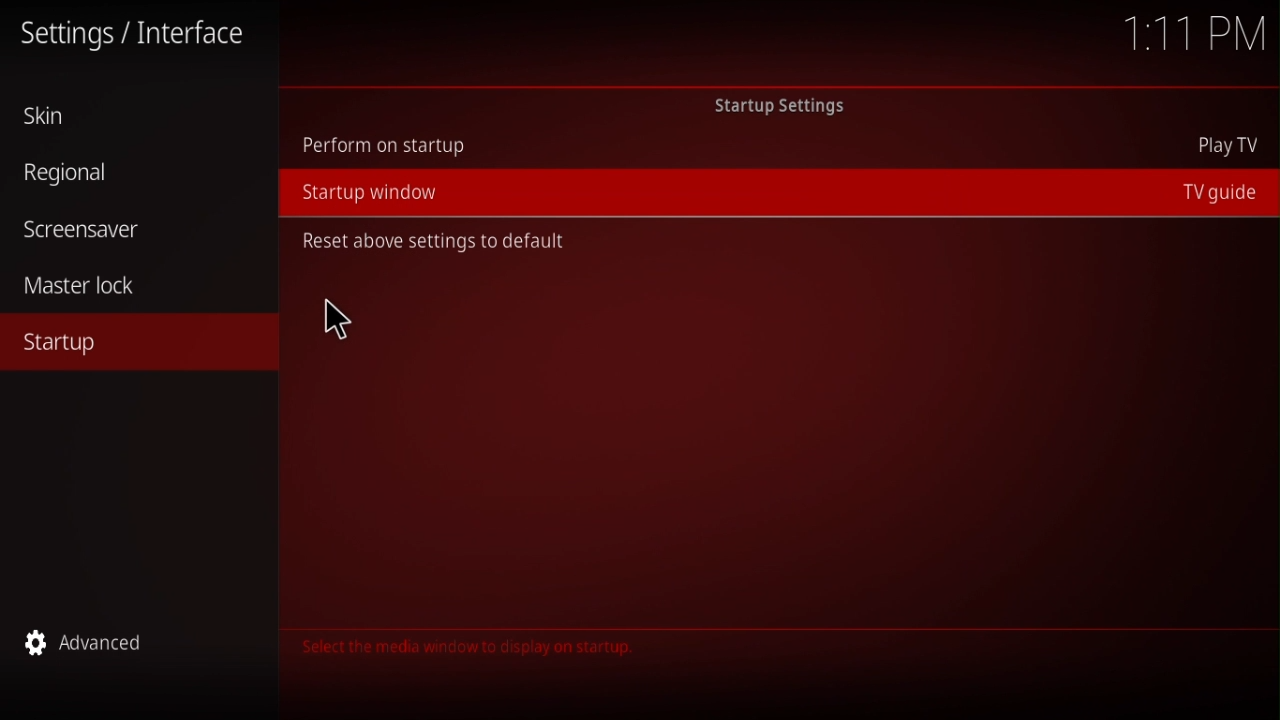 The height and width of the screenshot is (720, 1280). I want to click on mouse, so click(336, 319).